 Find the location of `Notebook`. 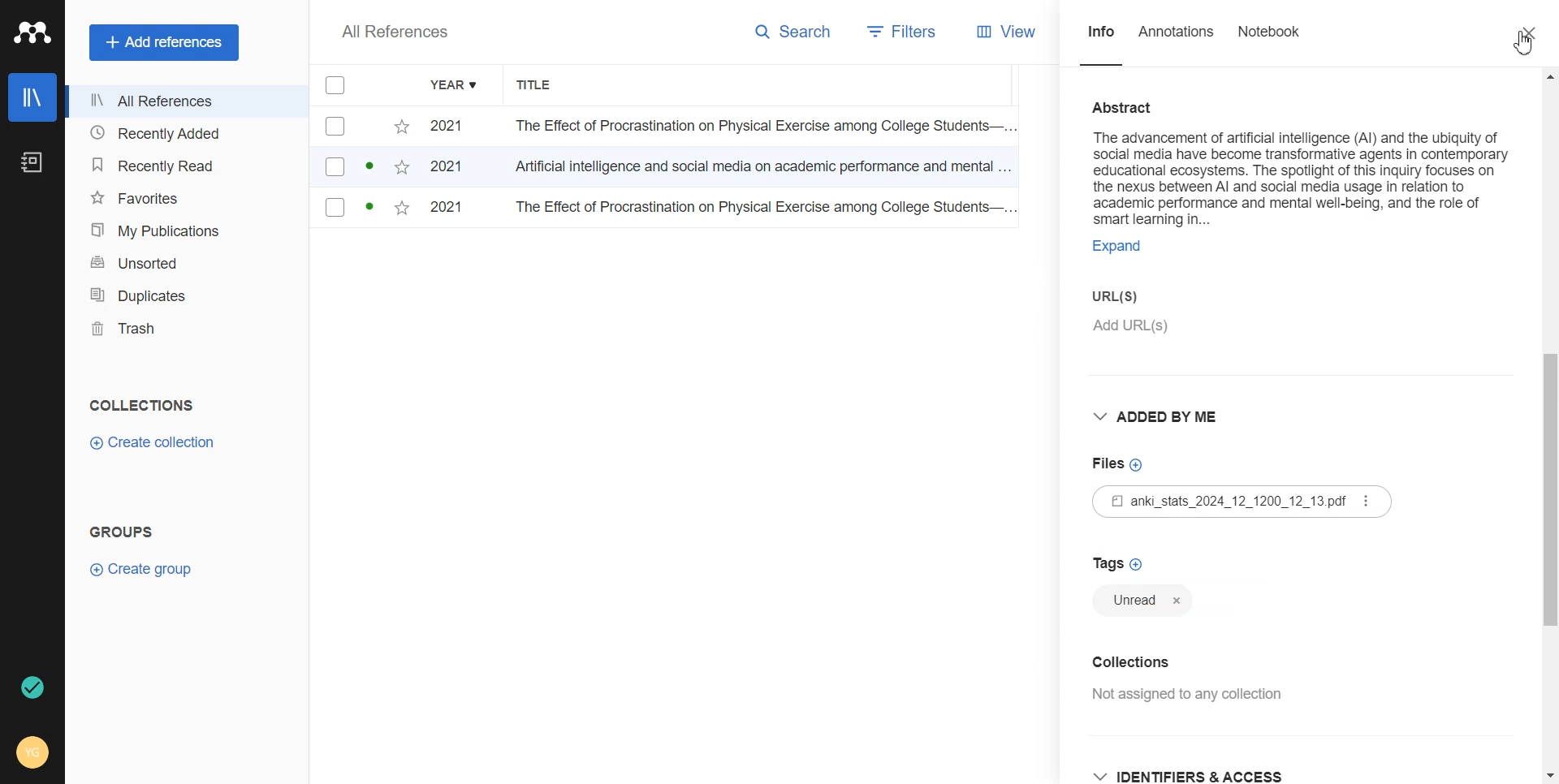

Notebook is located at coordinates (1271, 41).